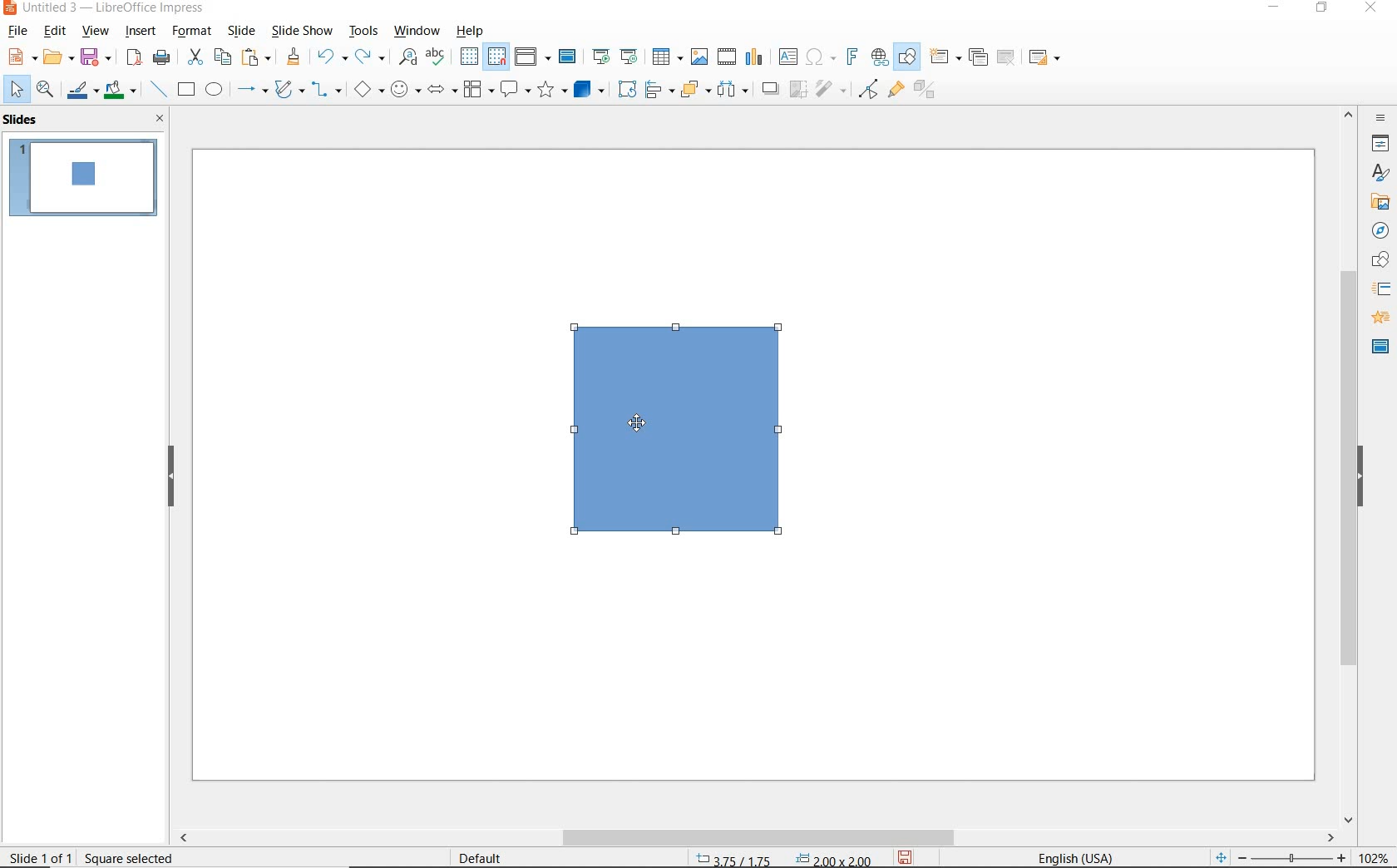 This screenshot has height=868, width=1397. I want to click on insert special characters, so click(821, 56).